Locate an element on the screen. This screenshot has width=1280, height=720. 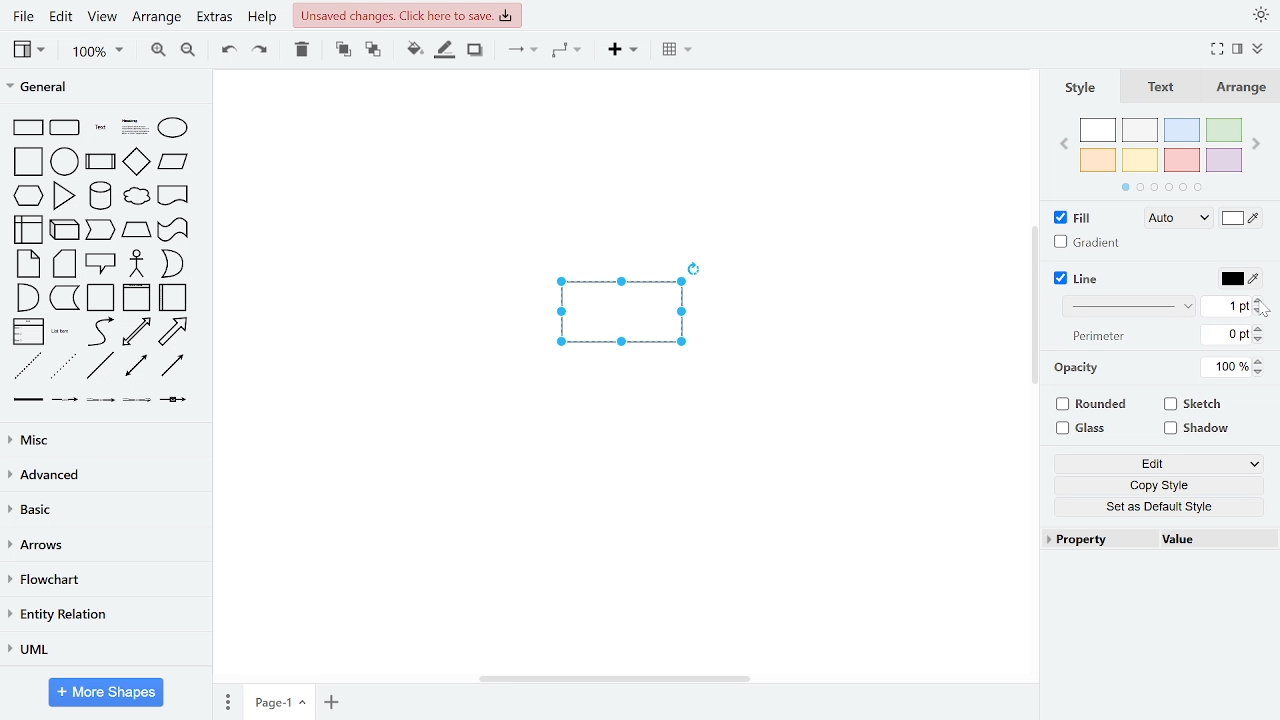
text is located at coordinates (1100, 337).